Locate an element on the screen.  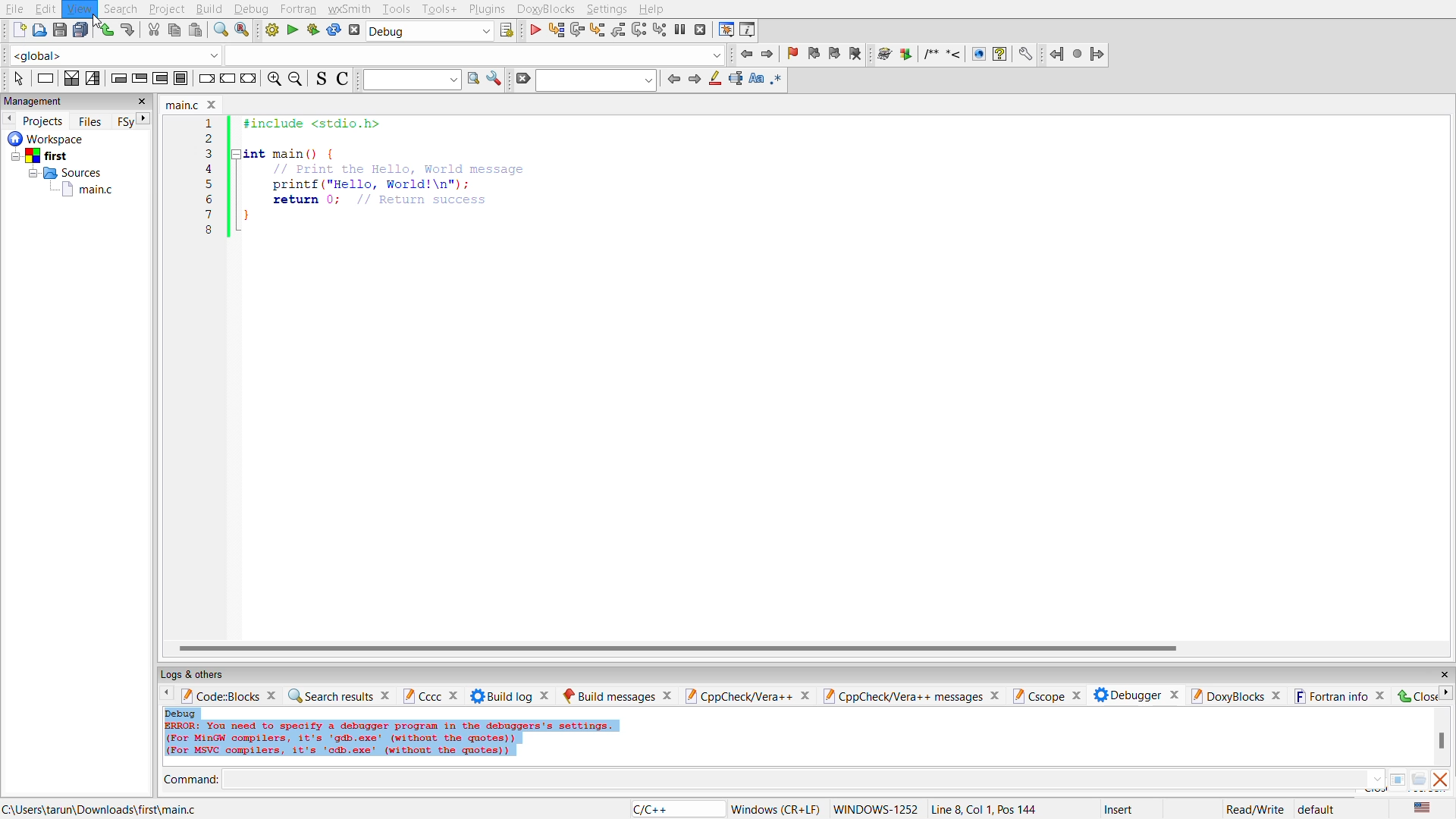
replace is located at coordinates (239, 32).